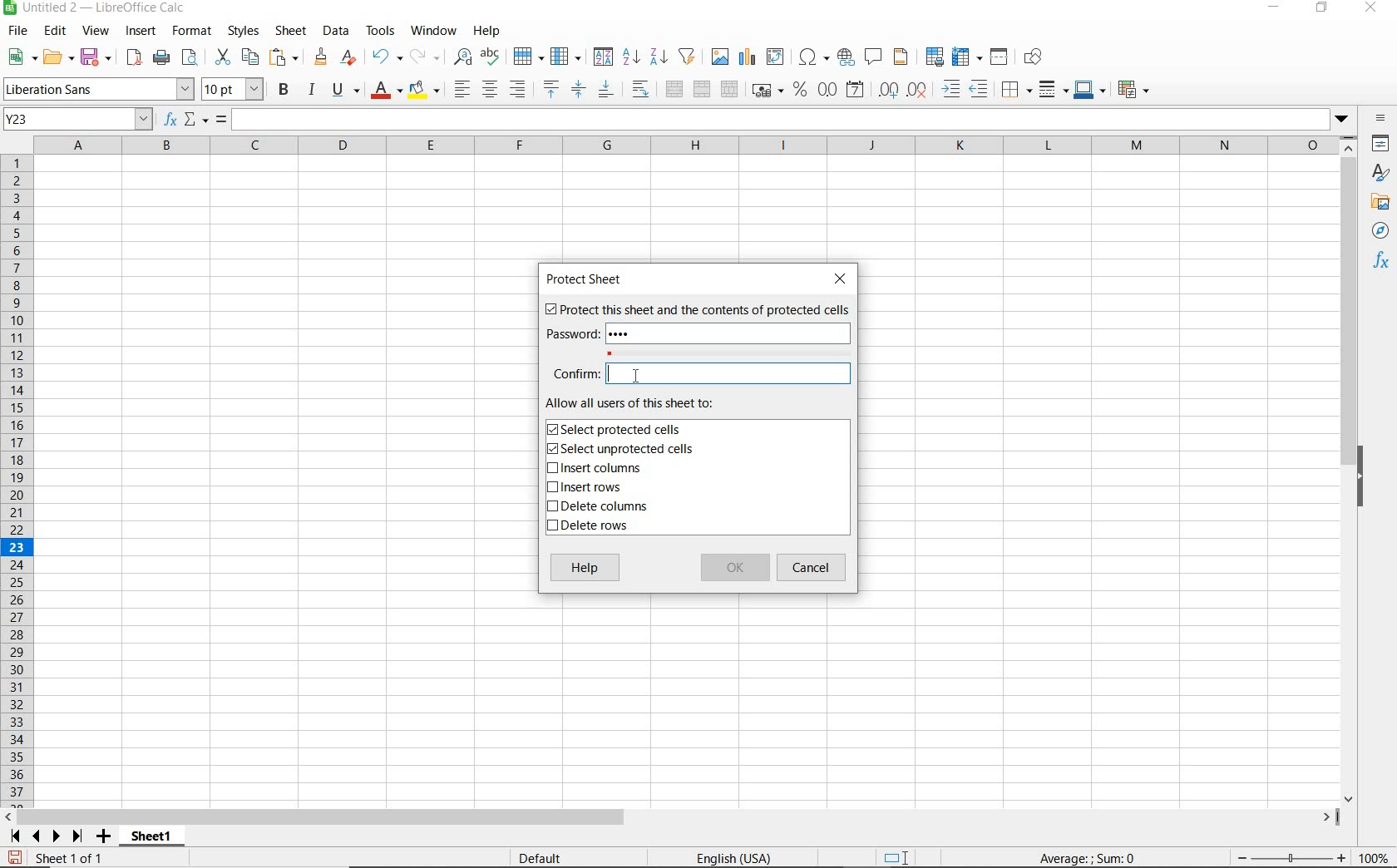 This screenshot has width=1397, height=868. I want to click on english (USA), so click(743, 857).